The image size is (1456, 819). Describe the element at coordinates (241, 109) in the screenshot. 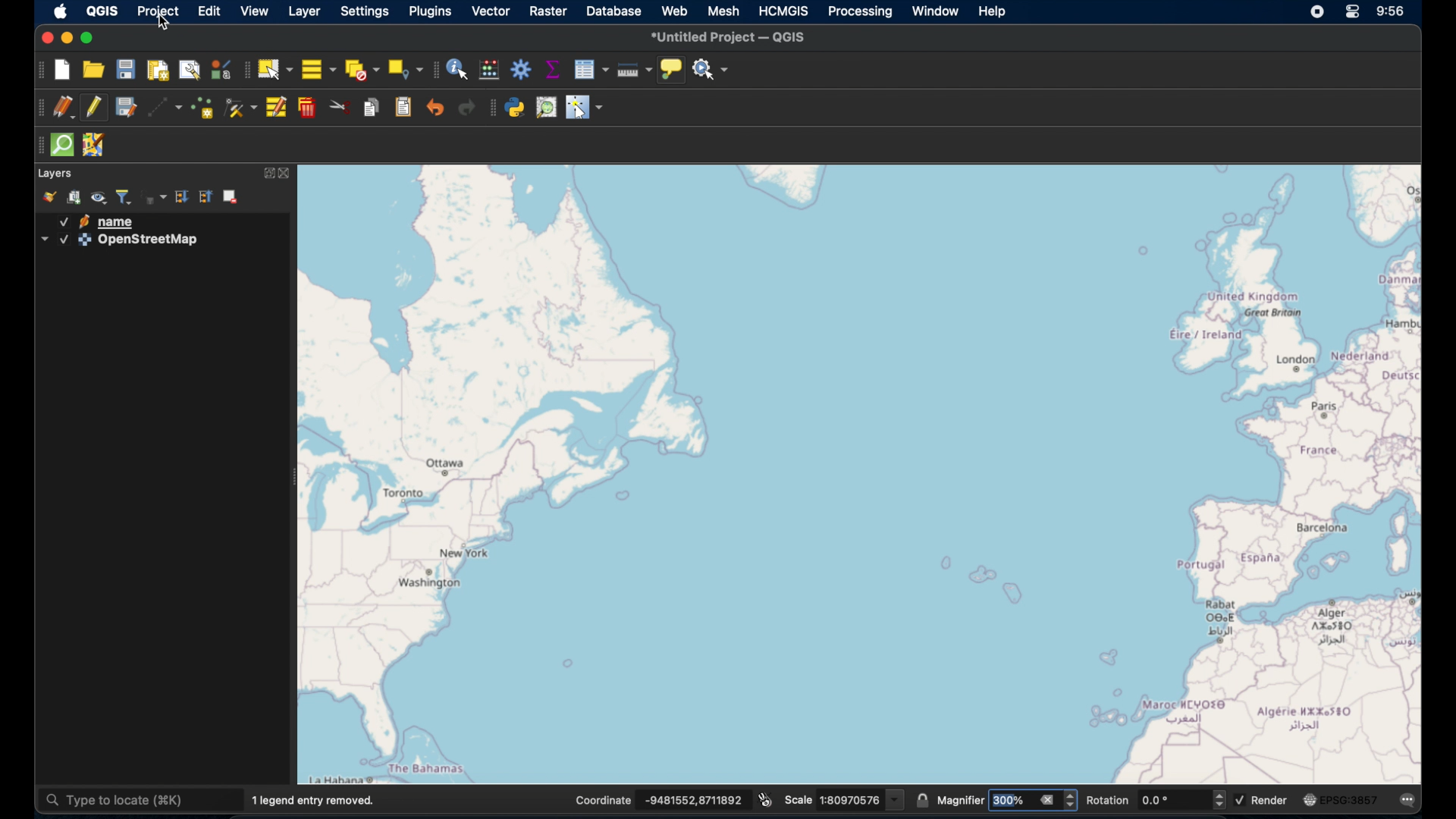

I see `vertex tool` at that location.